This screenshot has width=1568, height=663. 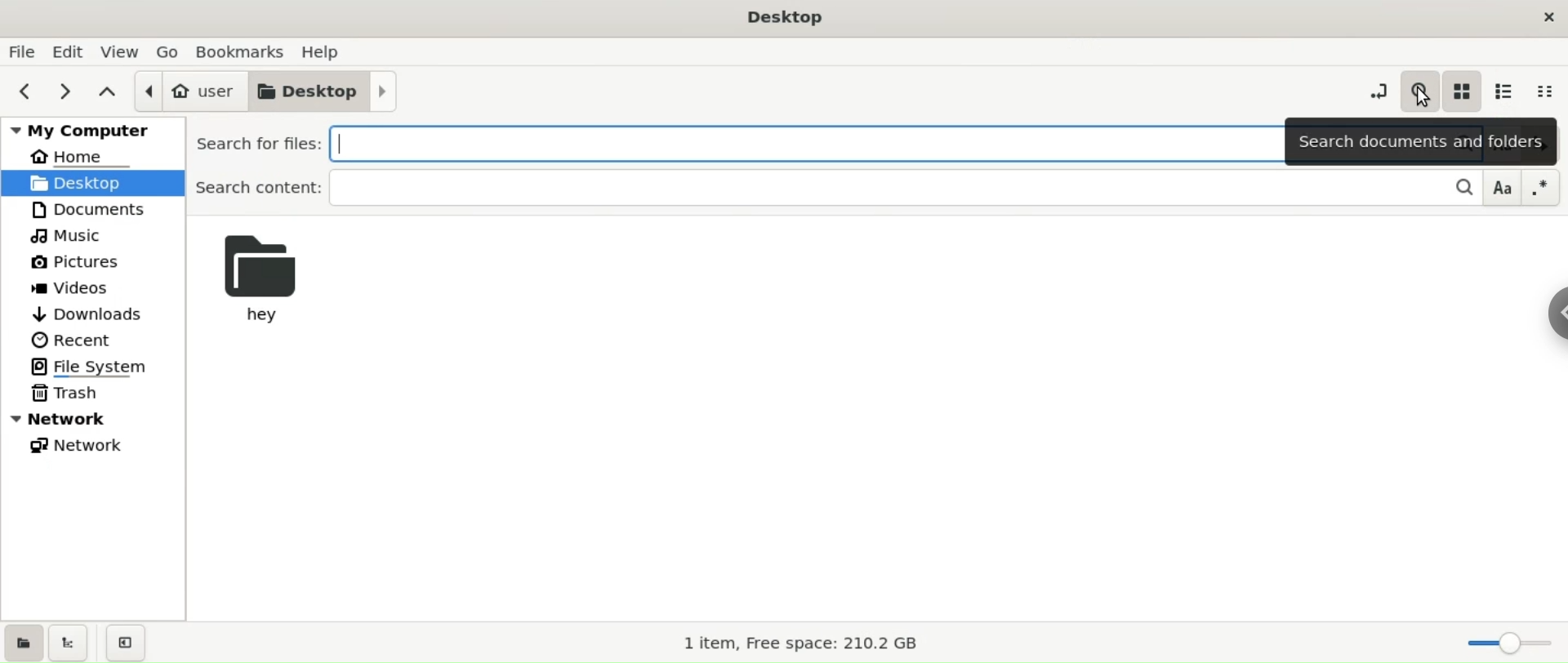 What do you see at coordinates (69, 51) in the screenshot?
I see `edit` at bounding box center [69, 51].